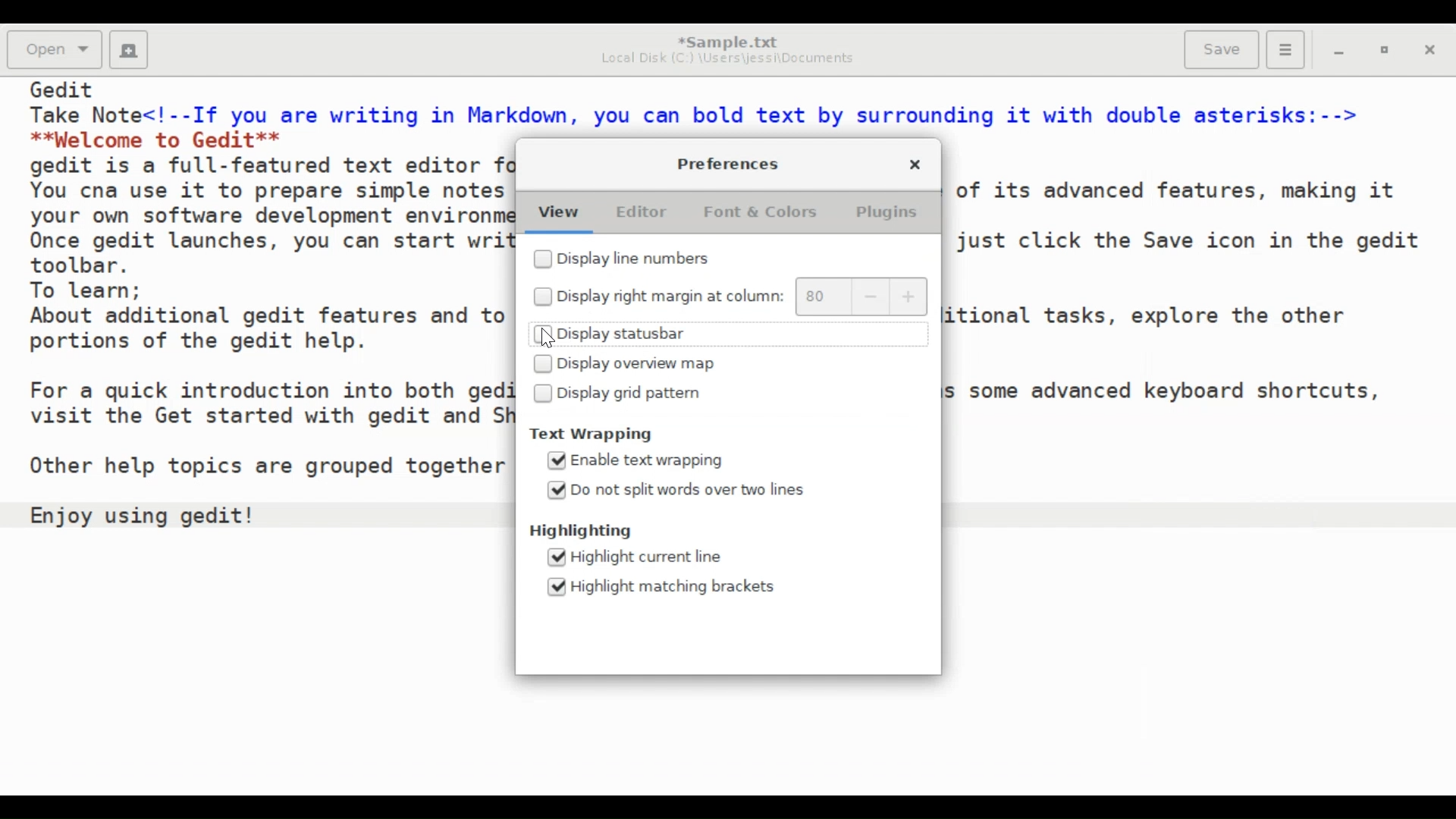 The width and height of the screenshot is (1456, 819). What do you see at coordinates (1336, 52) in the screenshot?
I see `minimize` at bounding box center [1336, 52].